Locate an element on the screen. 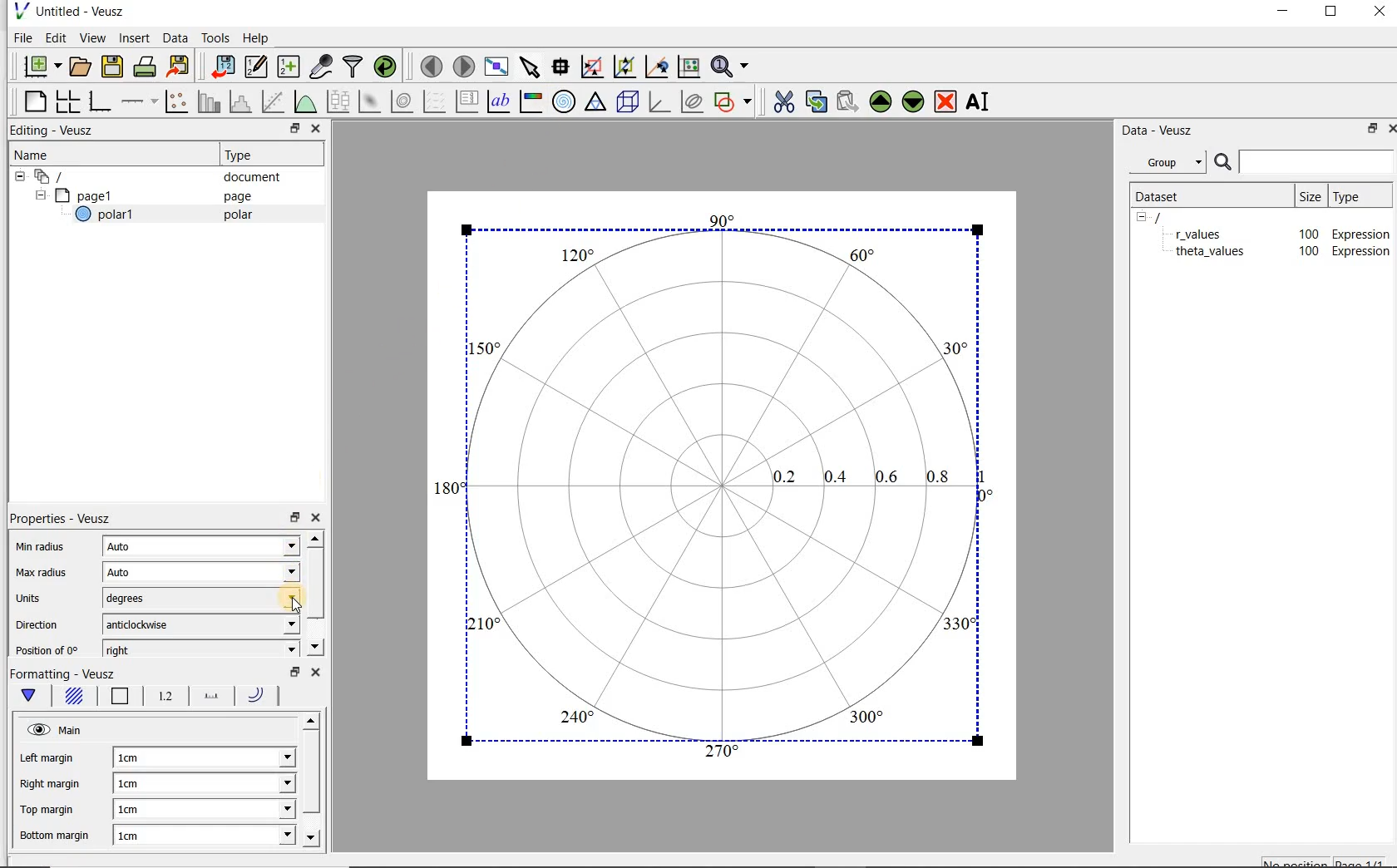  histogram of a dataset is located at coordinates (243, 101).